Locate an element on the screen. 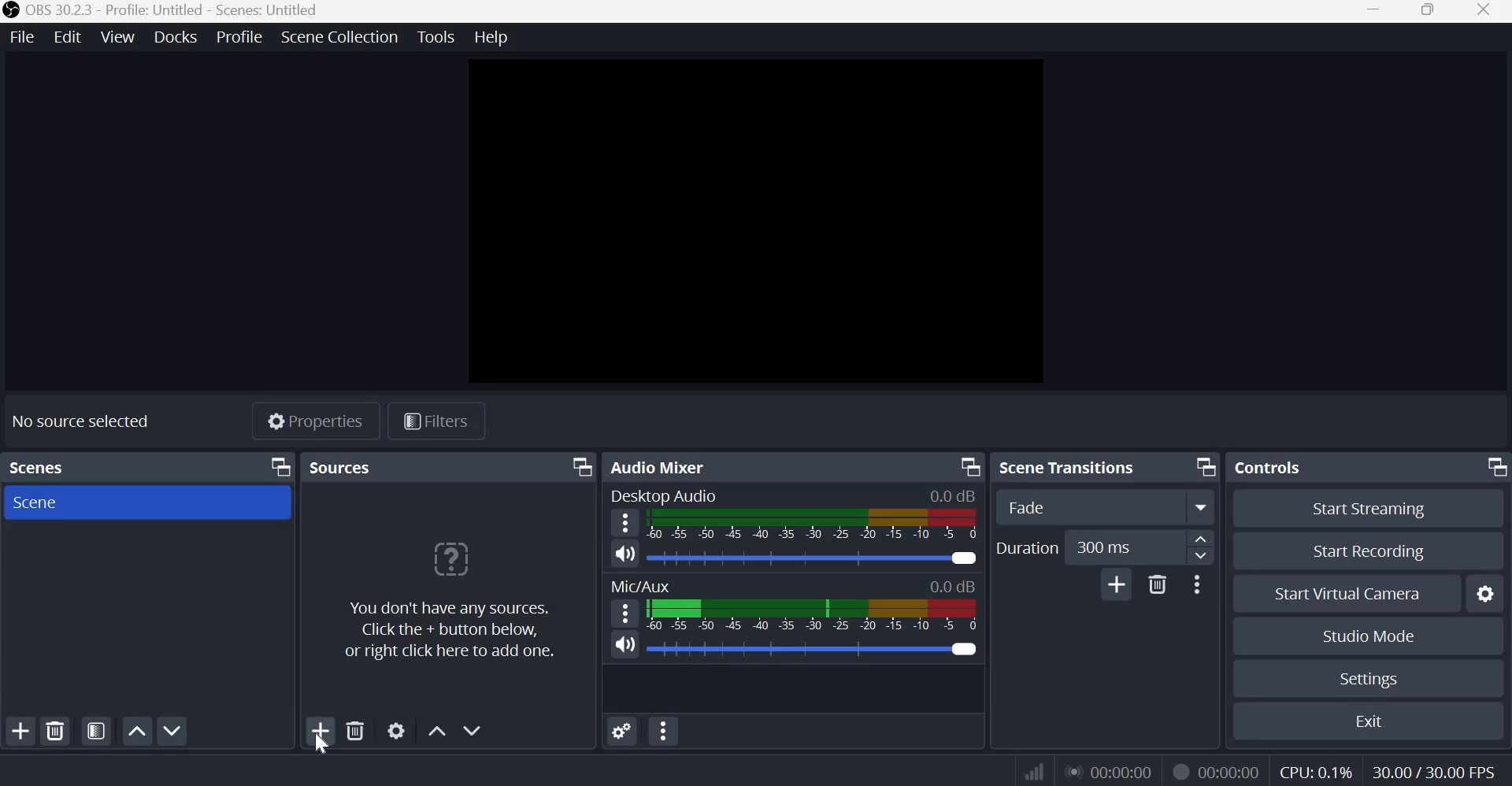 This screenshot has height=786, width=1512. Audio Level Indicator is located at coordinates (953, 585).